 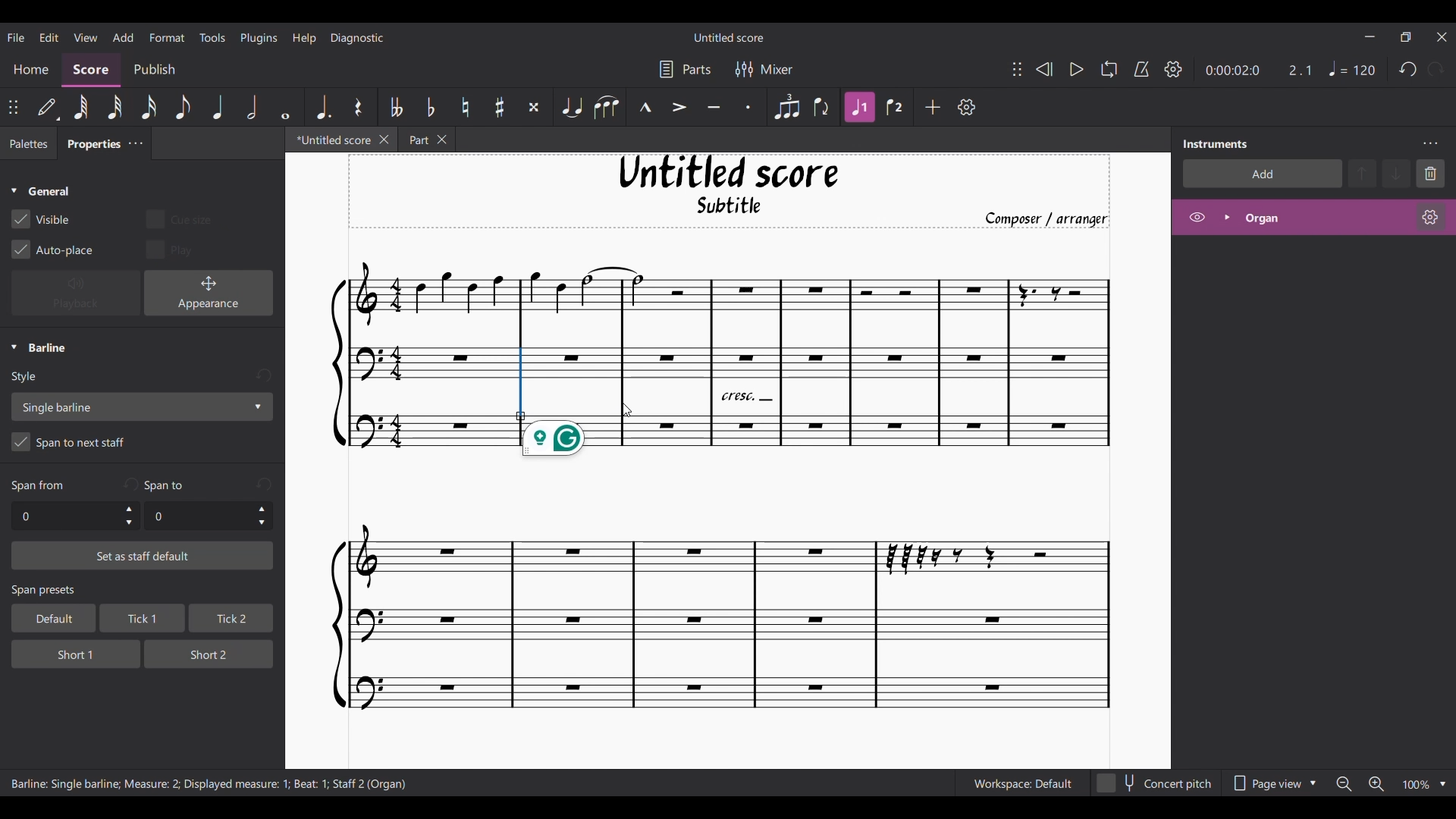 What do you see at coordinates (1436, 69) in the screenshot?
I see `Redo` at bounding box center [1436, 69].